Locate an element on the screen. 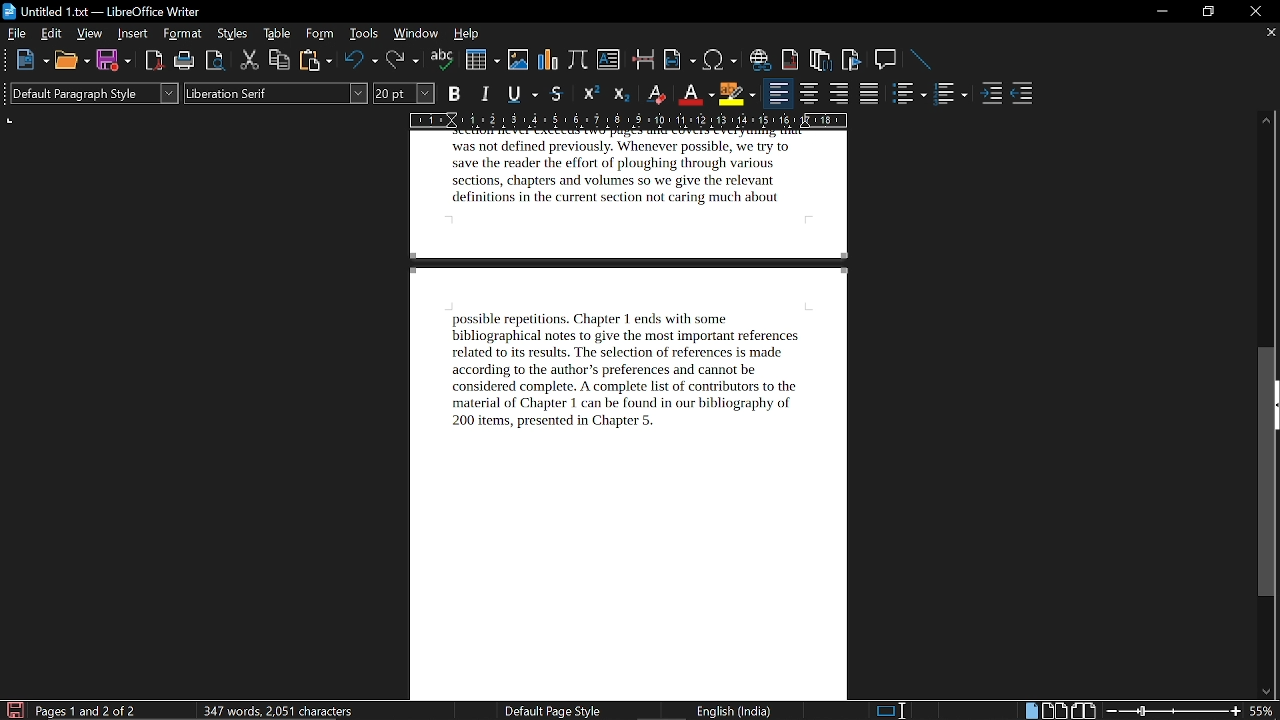  subscript is located at coordinates (624, 94).